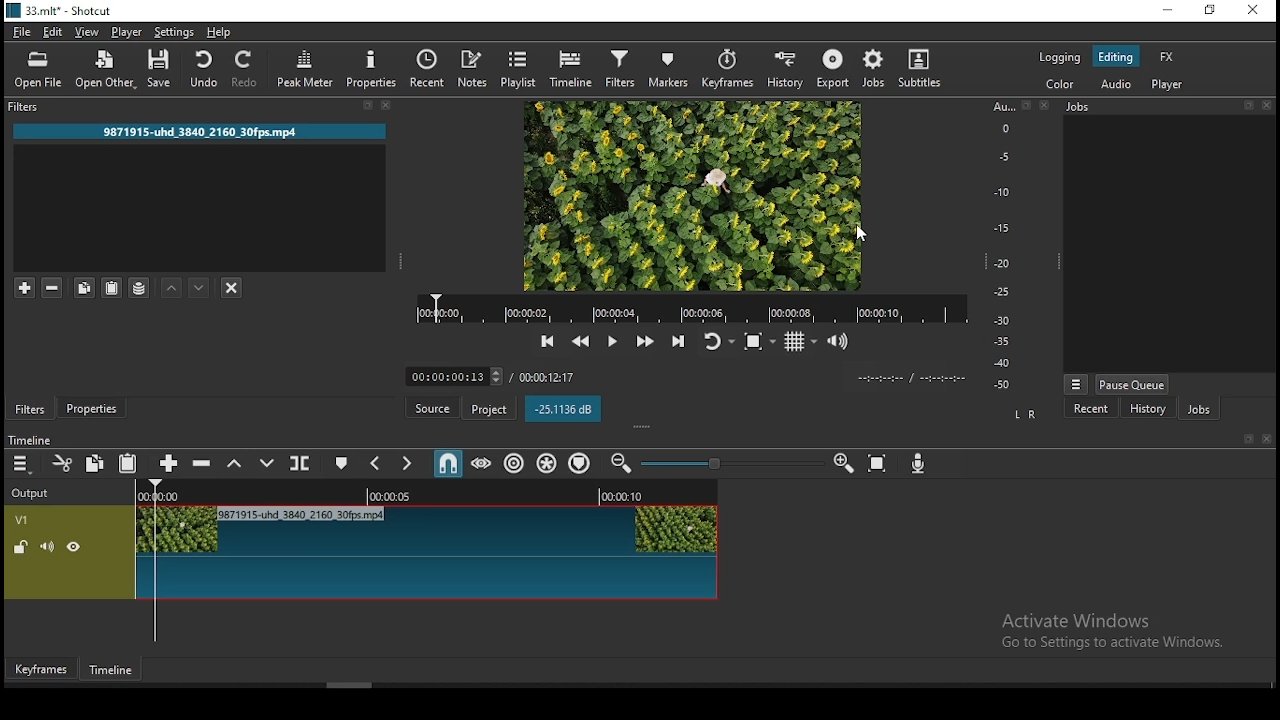 This screenshot has width=1280, height=720. I want to click on keyframes, so click(727, 69).